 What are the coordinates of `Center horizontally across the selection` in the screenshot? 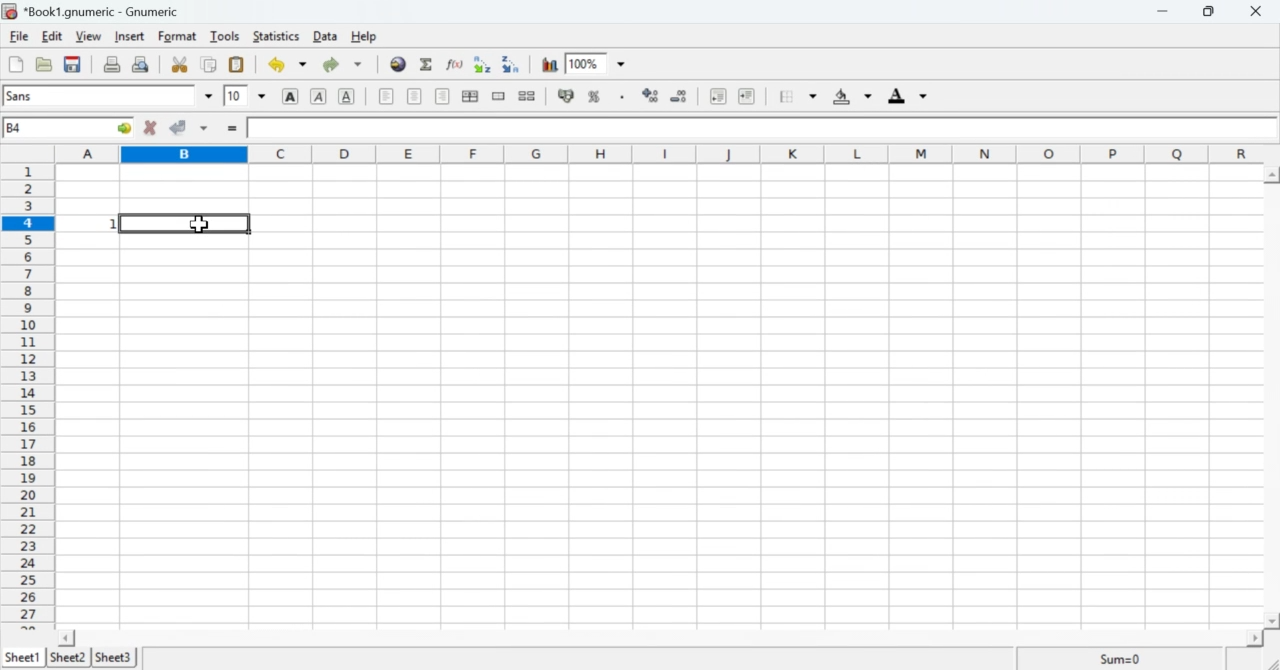 It's located at (470, 98).